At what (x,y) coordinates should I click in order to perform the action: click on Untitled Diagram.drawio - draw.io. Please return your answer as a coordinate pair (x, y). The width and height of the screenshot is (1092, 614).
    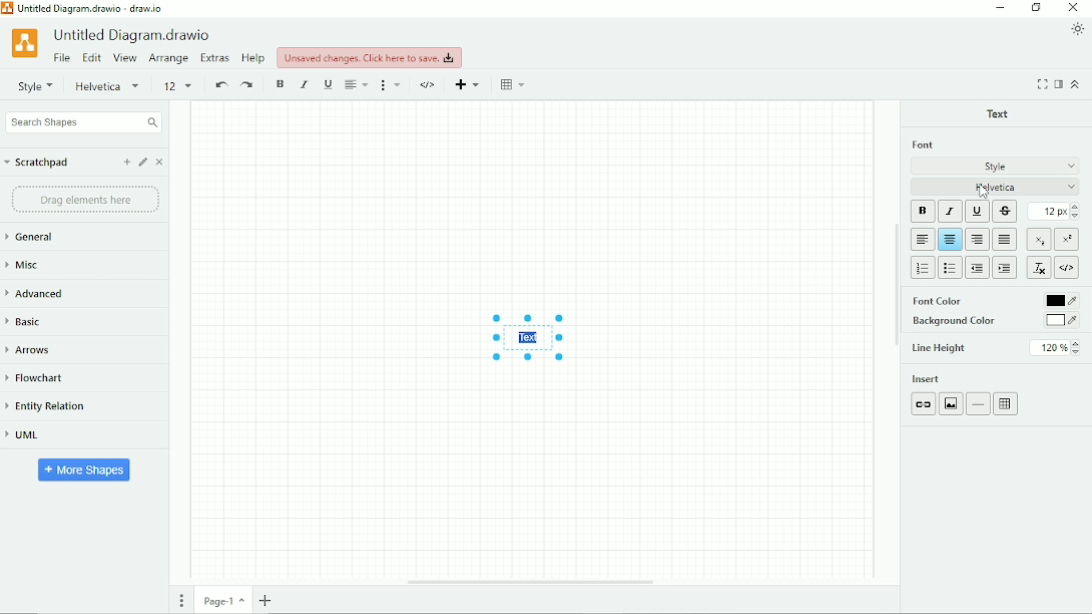
    Looking at the image, I should click on (90, 9).